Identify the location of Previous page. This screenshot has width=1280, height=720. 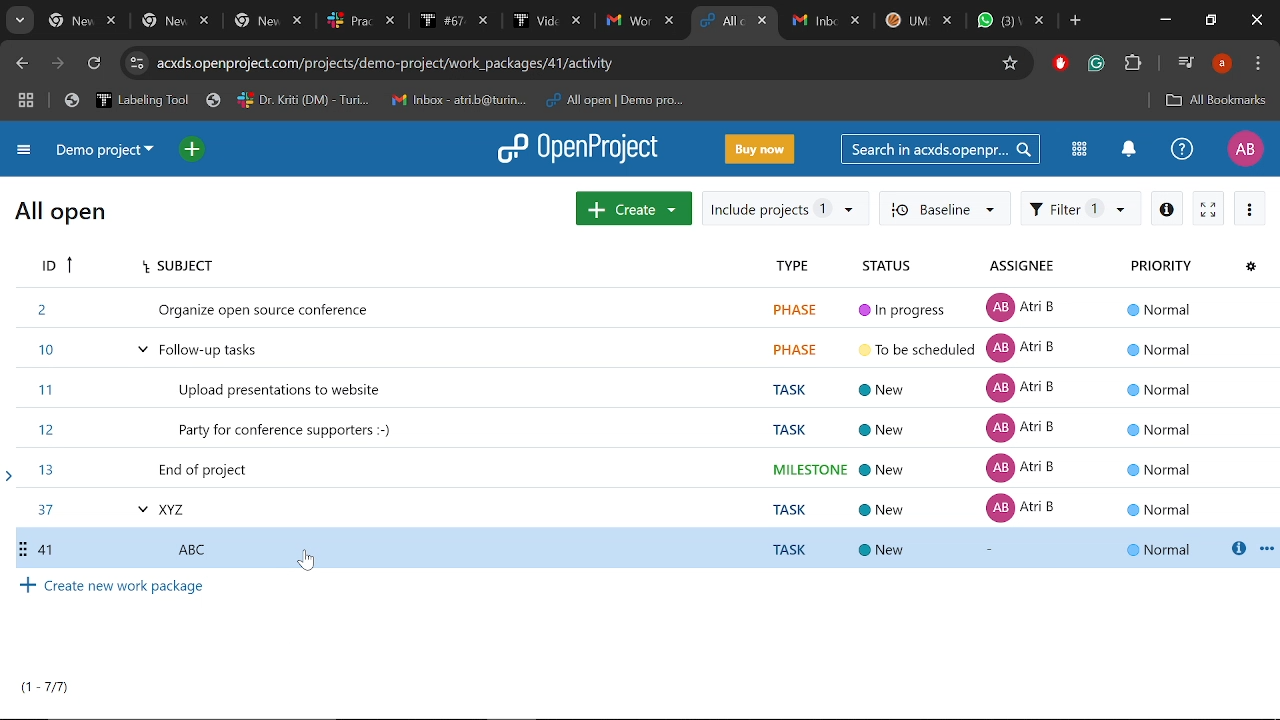
(21, 63).